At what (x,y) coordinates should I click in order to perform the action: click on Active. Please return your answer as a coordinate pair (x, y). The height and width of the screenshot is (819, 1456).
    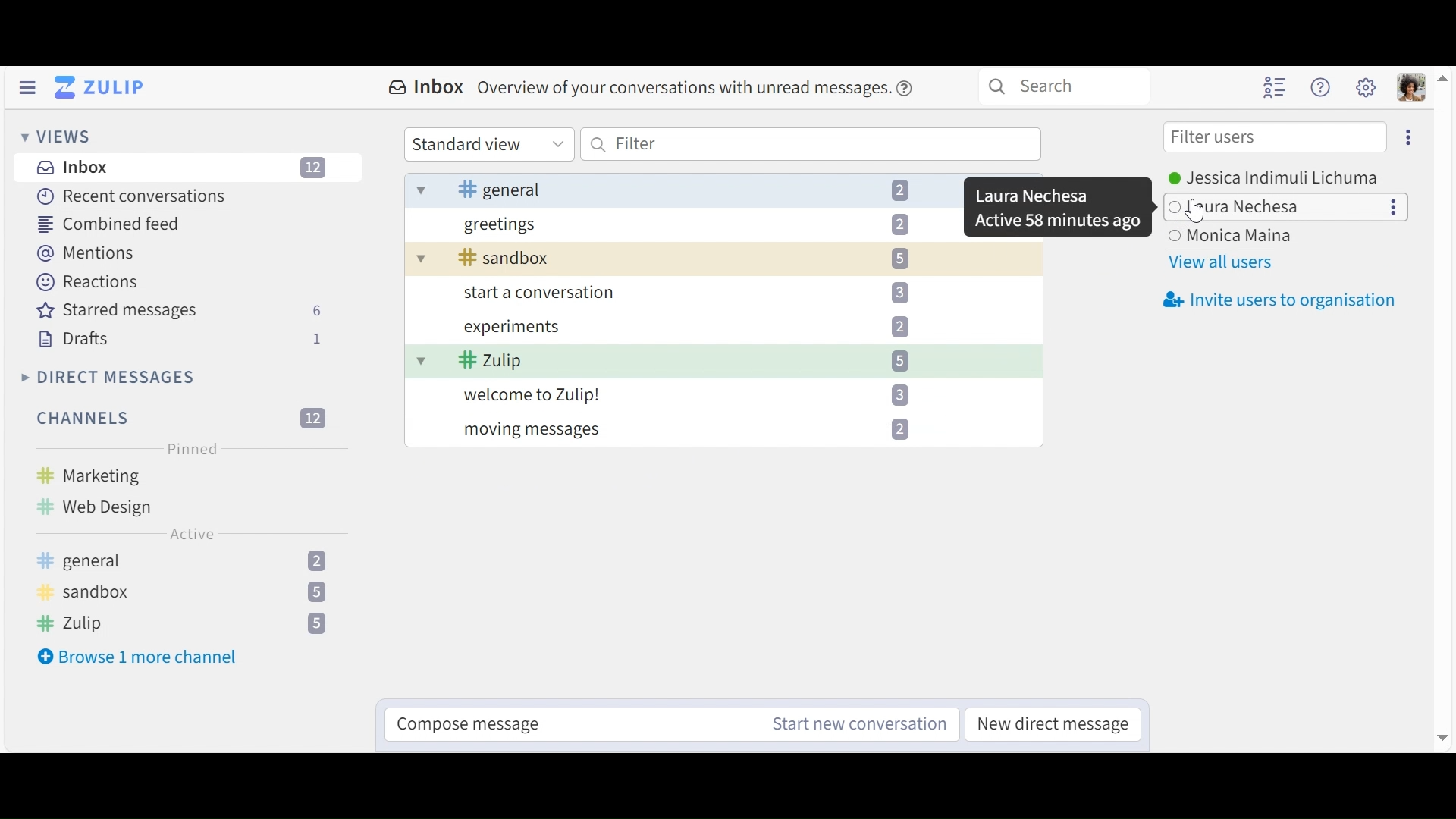
    Looking at the image, I should click on (193, 534).